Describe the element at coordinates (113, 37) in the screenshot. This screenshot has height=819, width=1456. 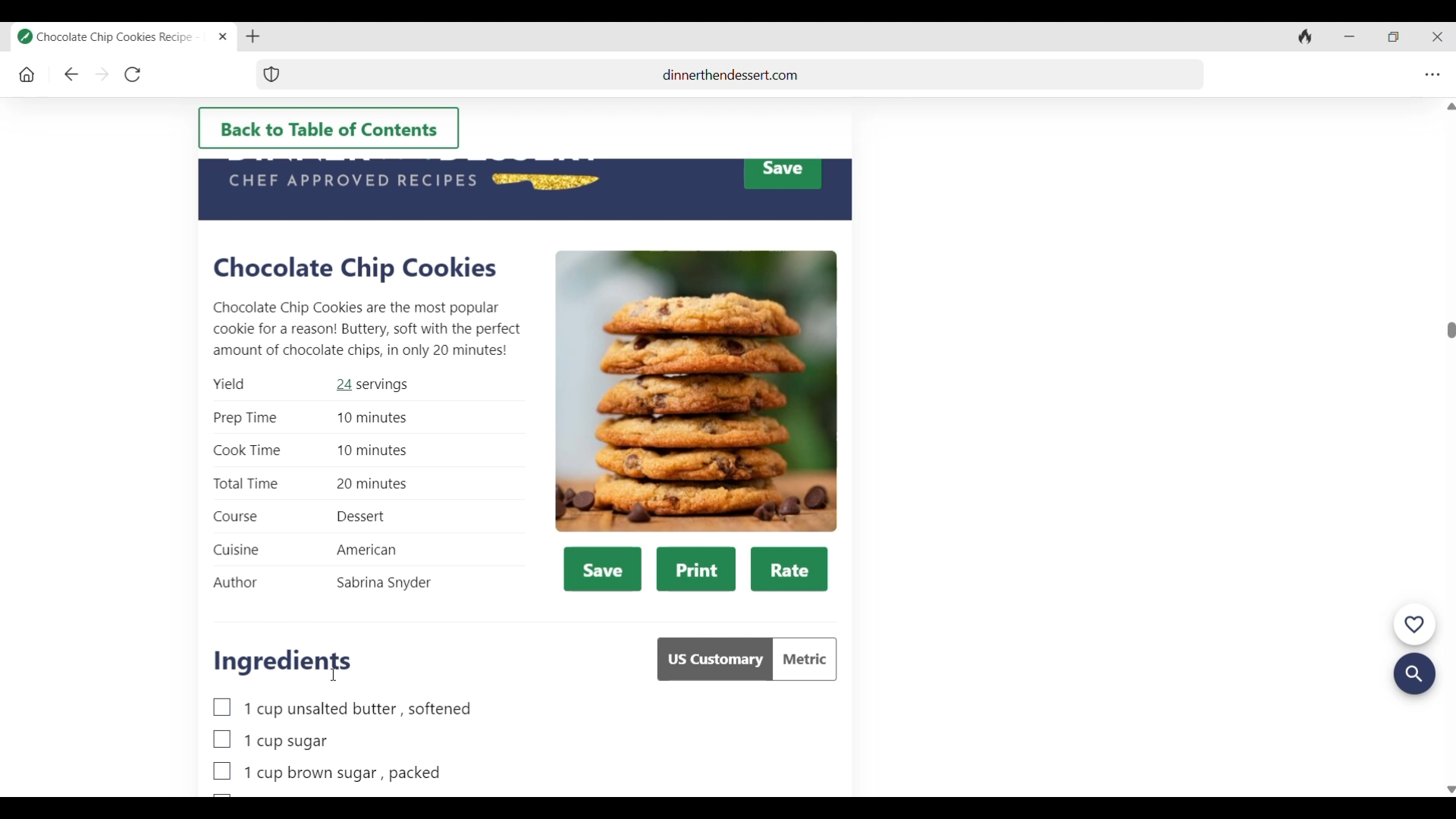
I see `recipe for chocolate chip cookies` at that location.